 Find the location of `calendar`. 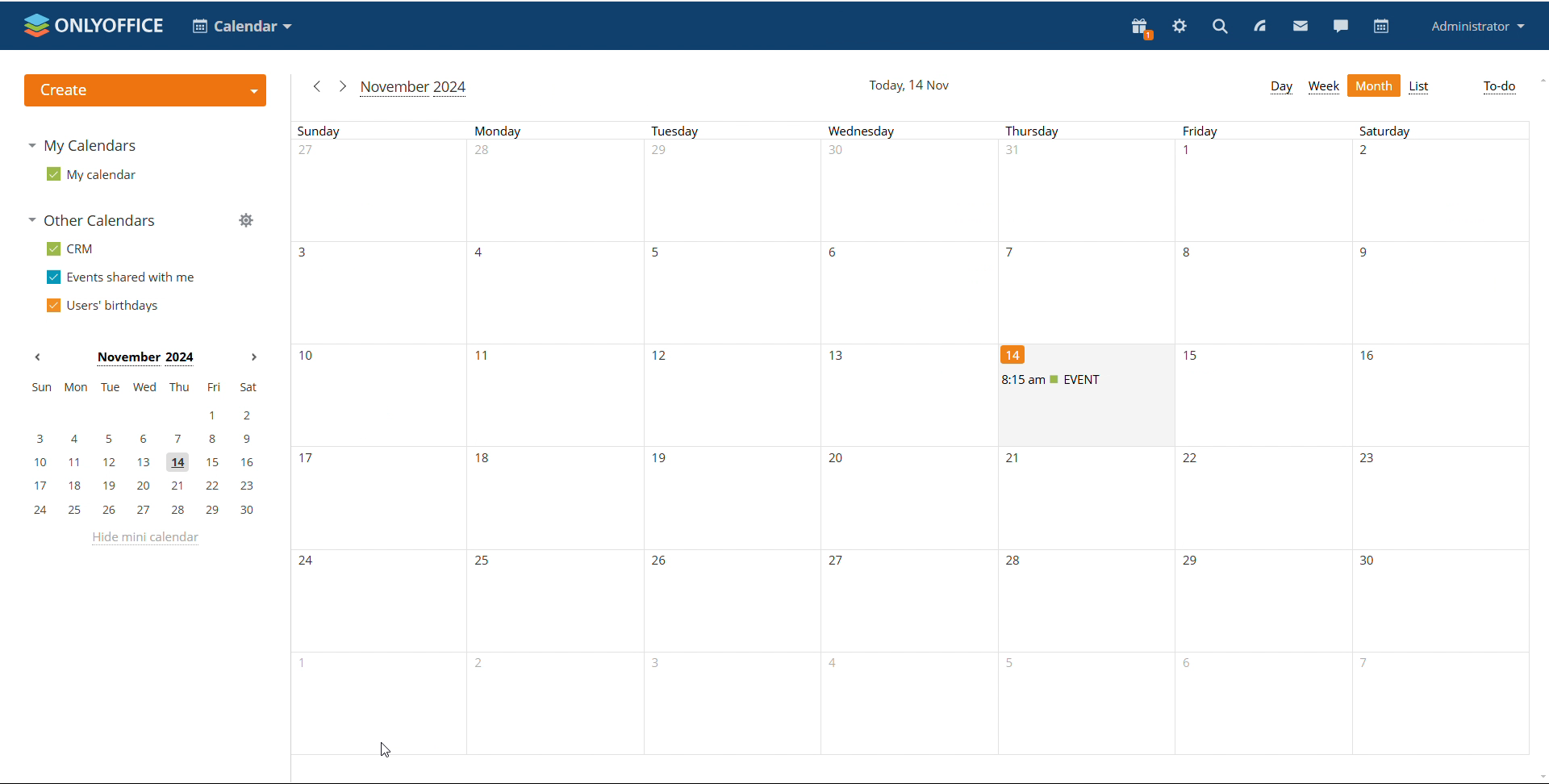

calendar is located at coordinates (1382, 27).